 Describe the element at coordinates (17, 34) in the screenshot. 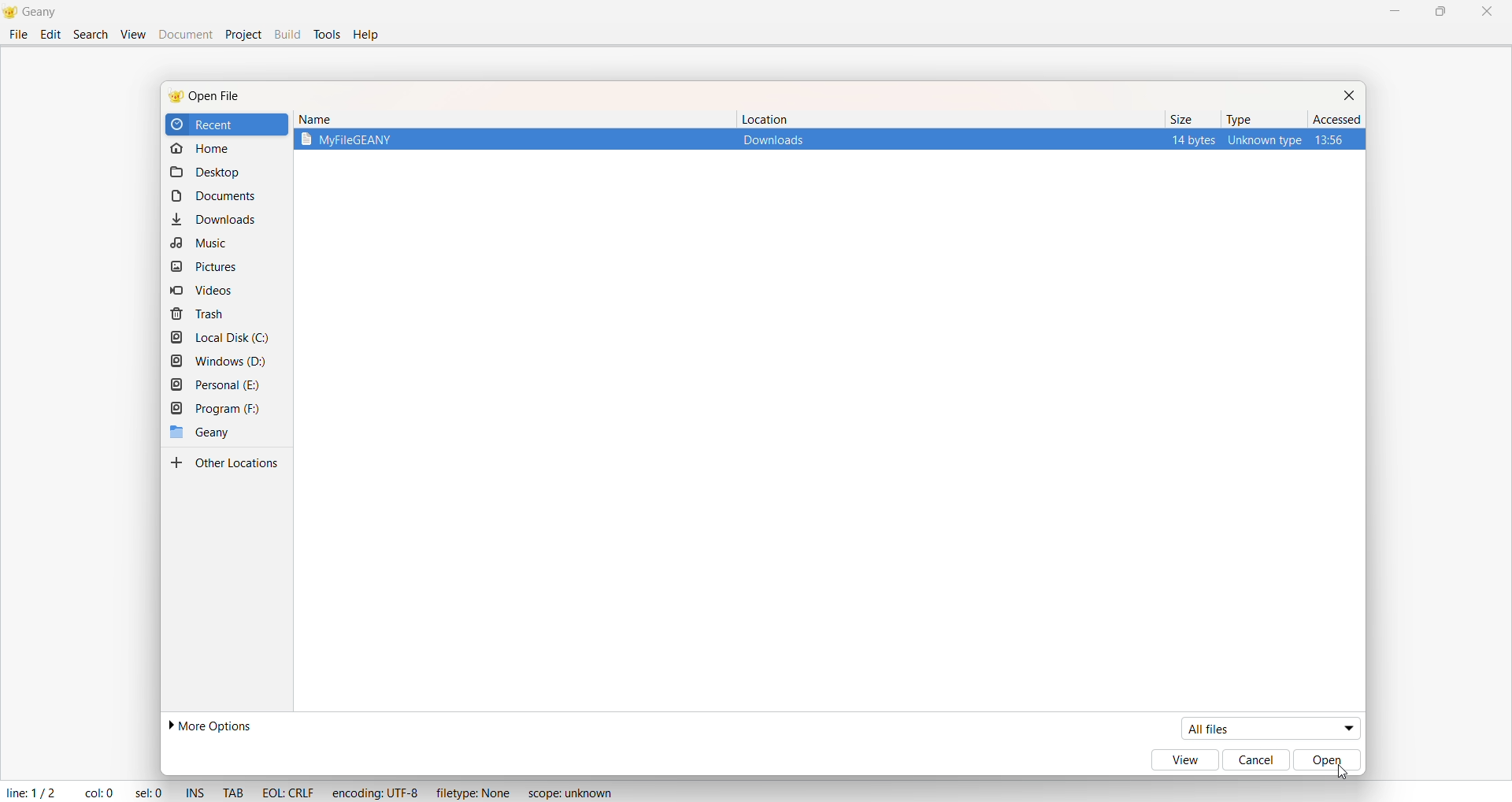

I see `File` at that location.